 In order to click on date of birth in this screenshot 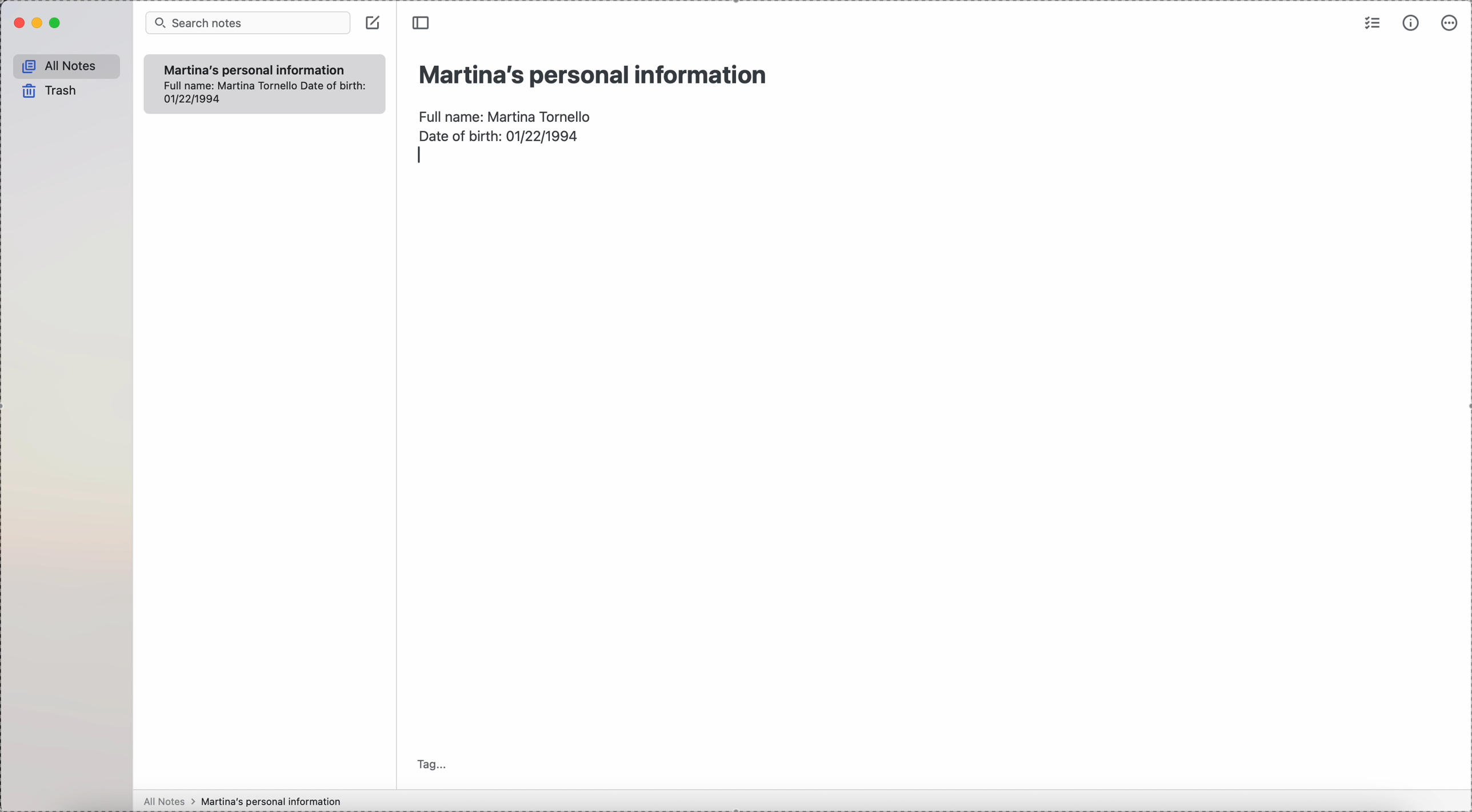, I will do `click(499, 134)`.